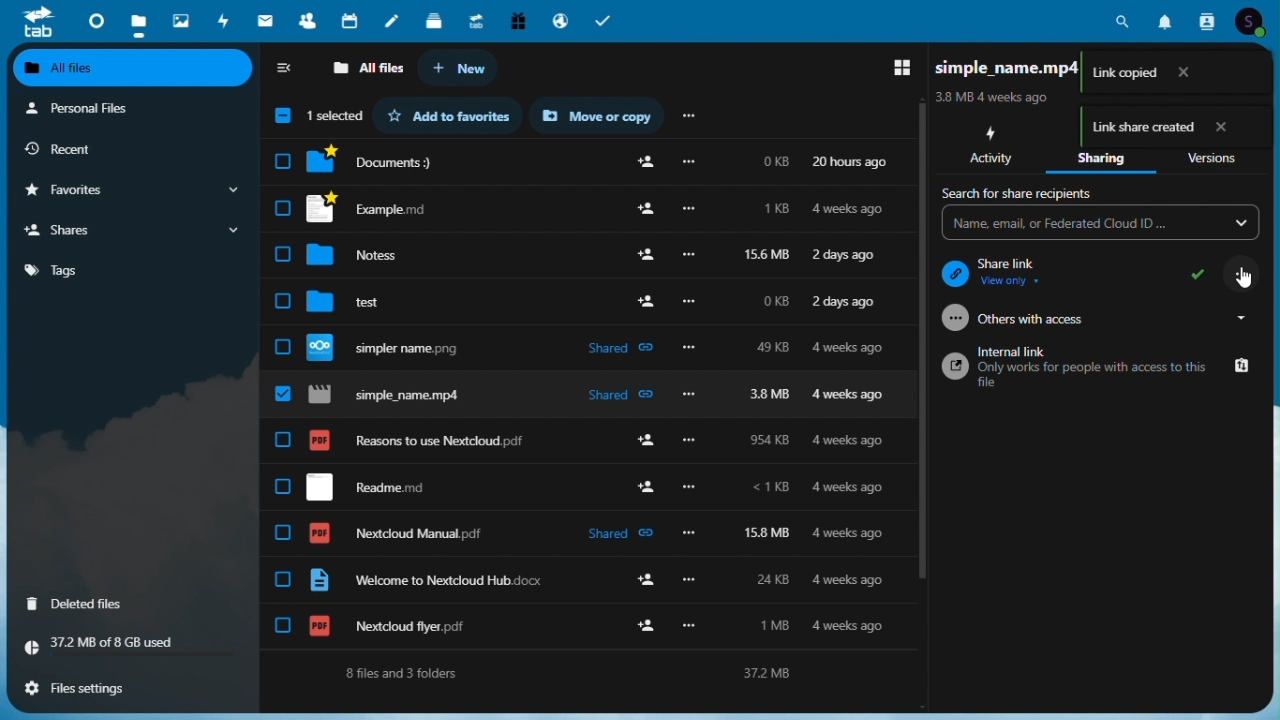 The height and width of the screenshot is (720, 1280). I want to click on search, so click(1024, 194).